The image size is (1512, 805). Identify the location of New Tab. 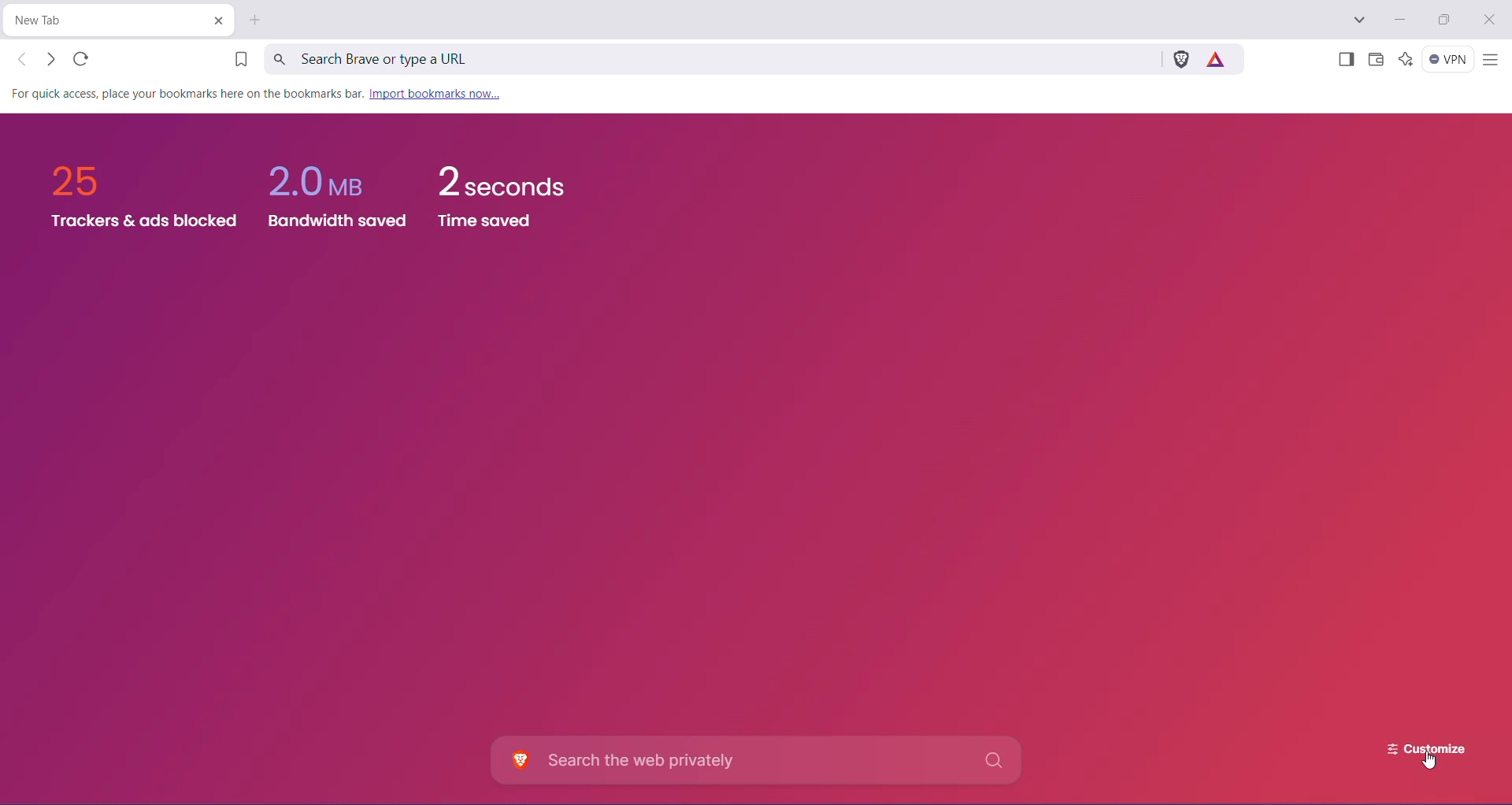
(106, 20).